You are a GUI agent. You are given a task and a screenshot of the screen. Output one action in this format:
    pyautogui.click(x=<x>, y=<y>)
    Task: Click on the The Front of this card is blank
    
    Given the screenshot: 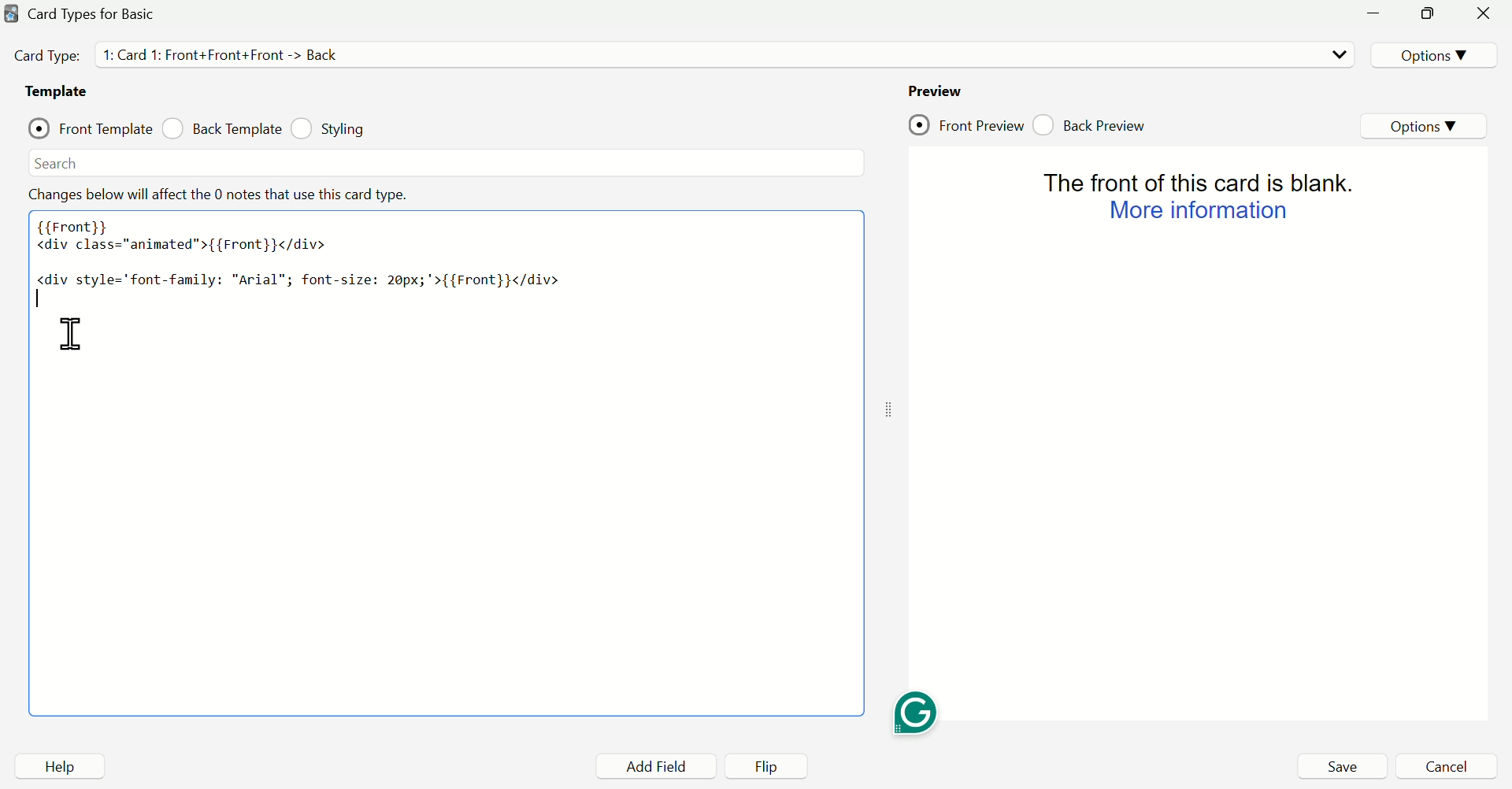 What is the action you would take?
    pyautogui.click(x=1199, y=181)
    